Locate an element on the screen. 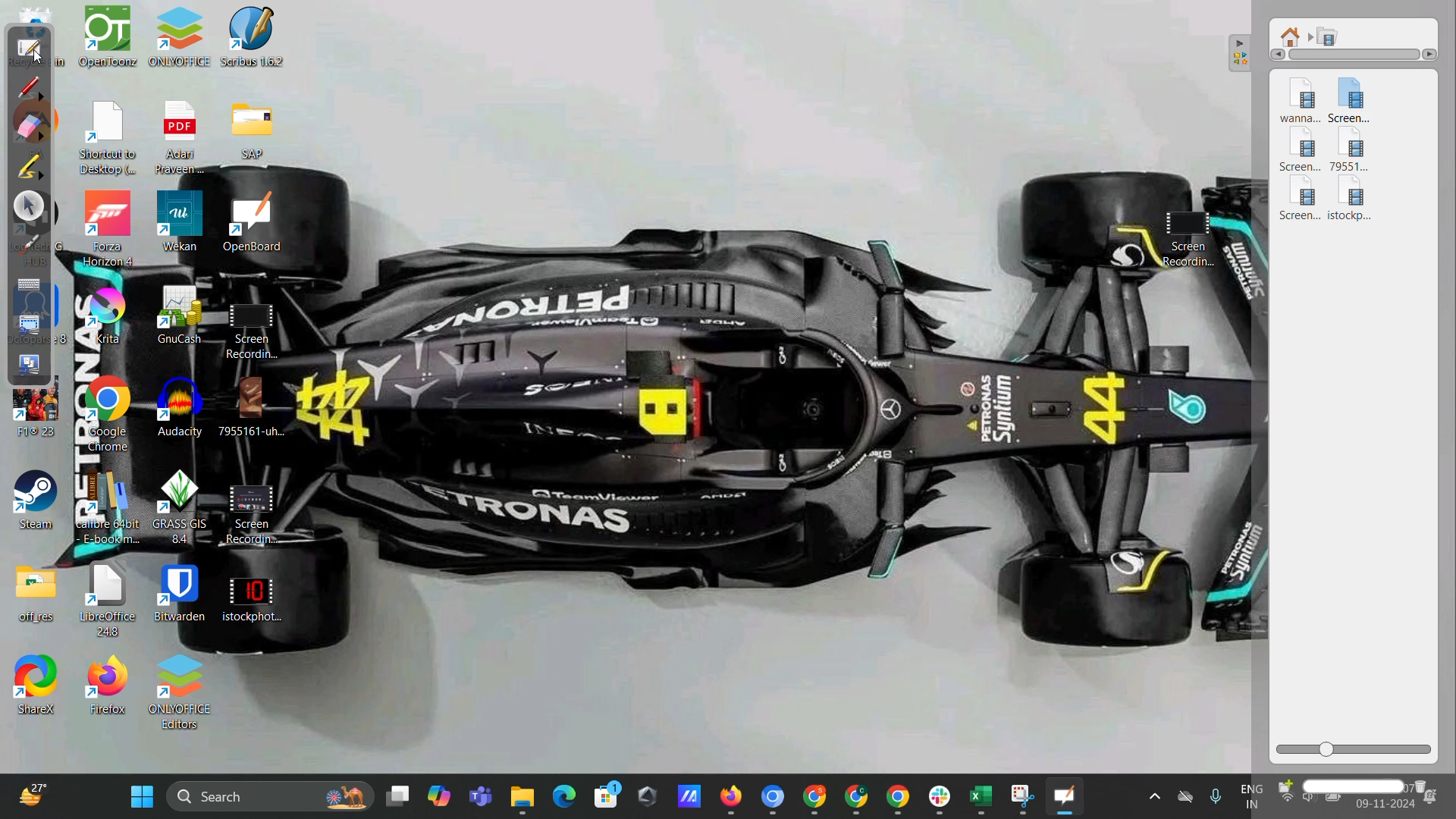 The width and height of the screenshot is (1456, 819). horizontal scroll bar is located at coordinates (1354, 56).